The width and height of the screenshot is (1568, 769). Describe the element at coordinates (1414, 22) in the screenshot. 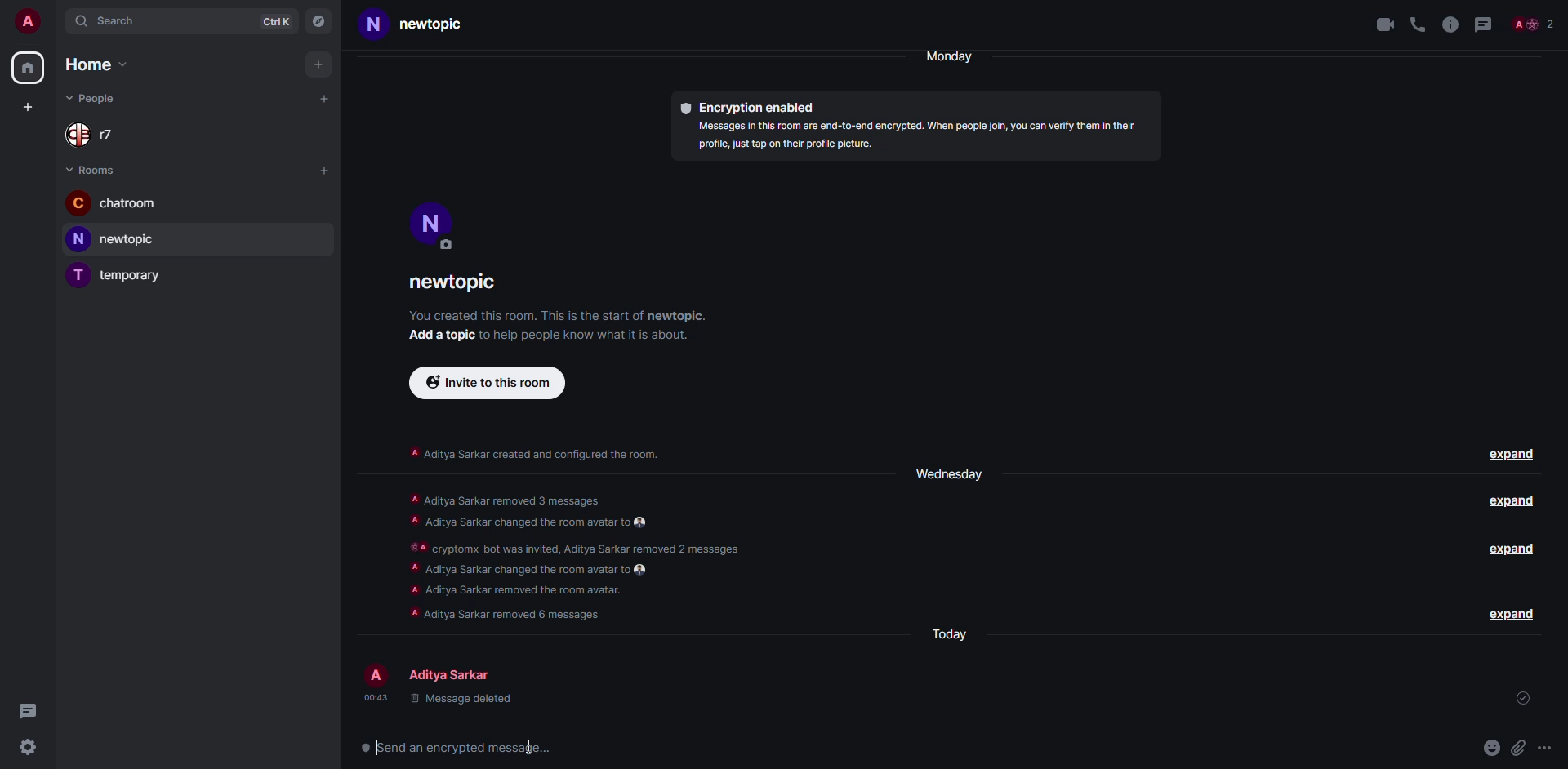

I see `voice` at that location.